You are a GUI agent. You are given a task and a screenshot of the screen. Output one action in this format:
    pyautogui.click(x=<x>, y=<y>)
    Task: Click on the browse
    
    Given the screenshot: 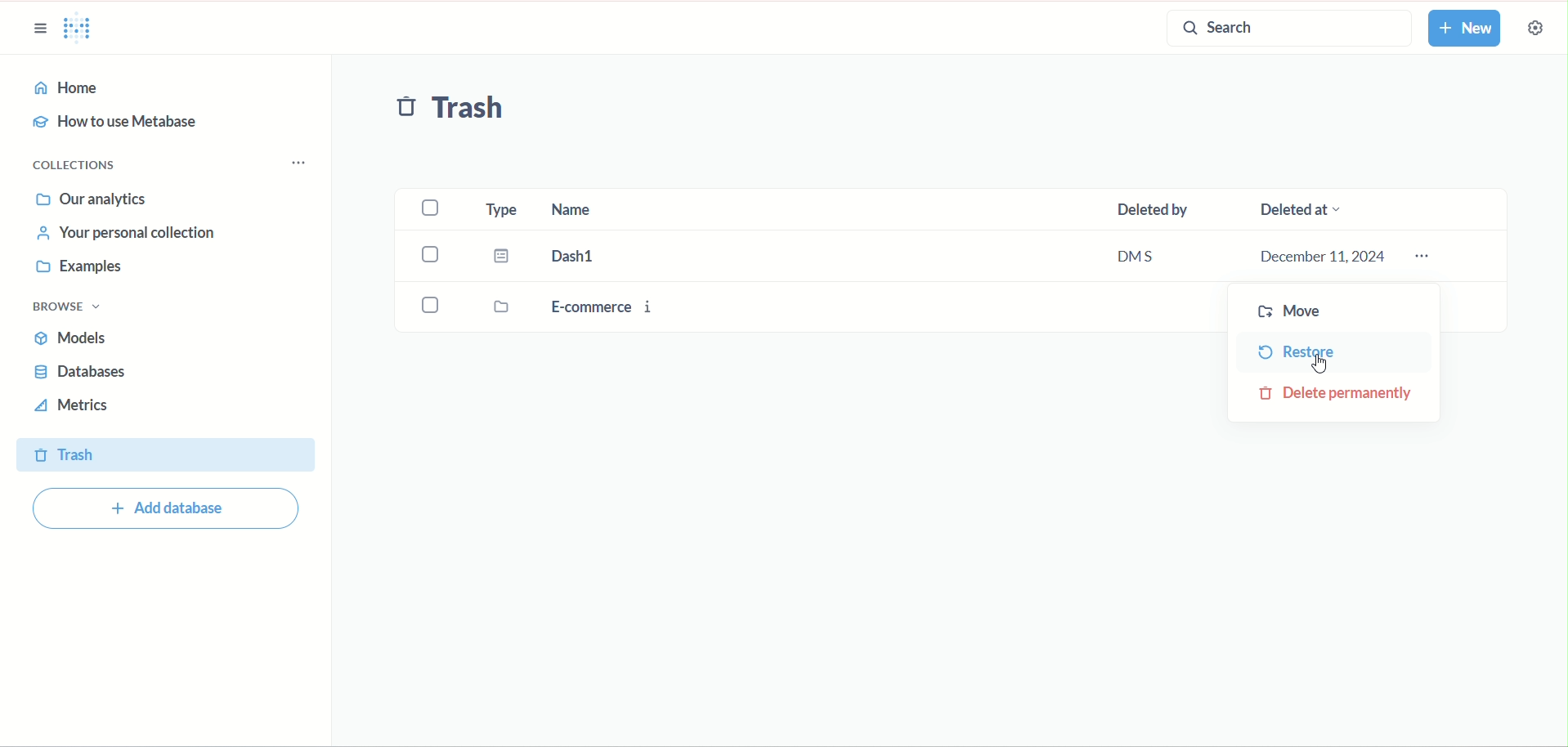 What is the action you would take?
    pyautogui.click(x=68, y=306)
    